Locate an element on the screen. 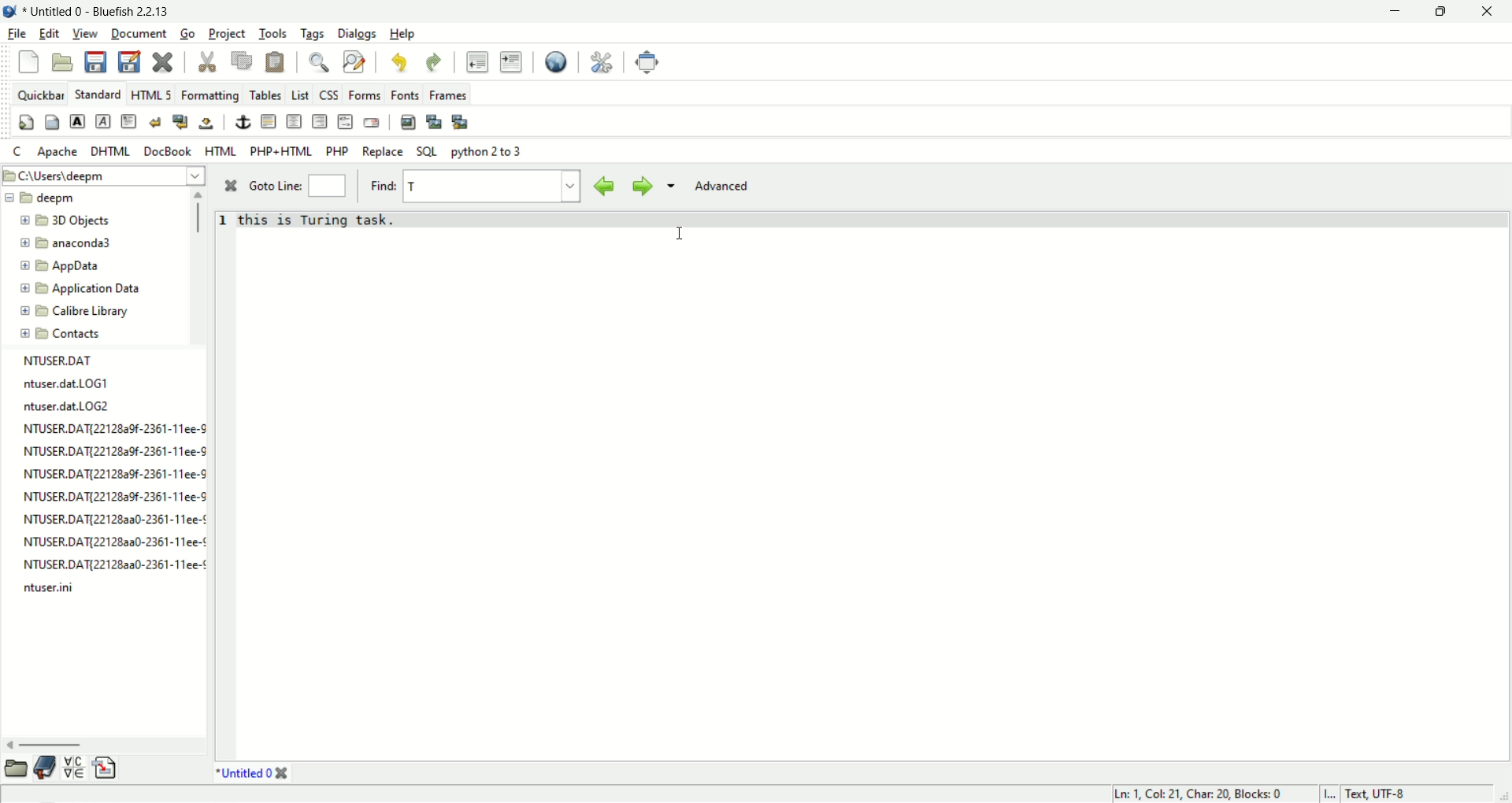 Image resolution: width=1512 pixels, height=803 pixels. I... Text, UTF-8 is located at coordinates (1366, 792).